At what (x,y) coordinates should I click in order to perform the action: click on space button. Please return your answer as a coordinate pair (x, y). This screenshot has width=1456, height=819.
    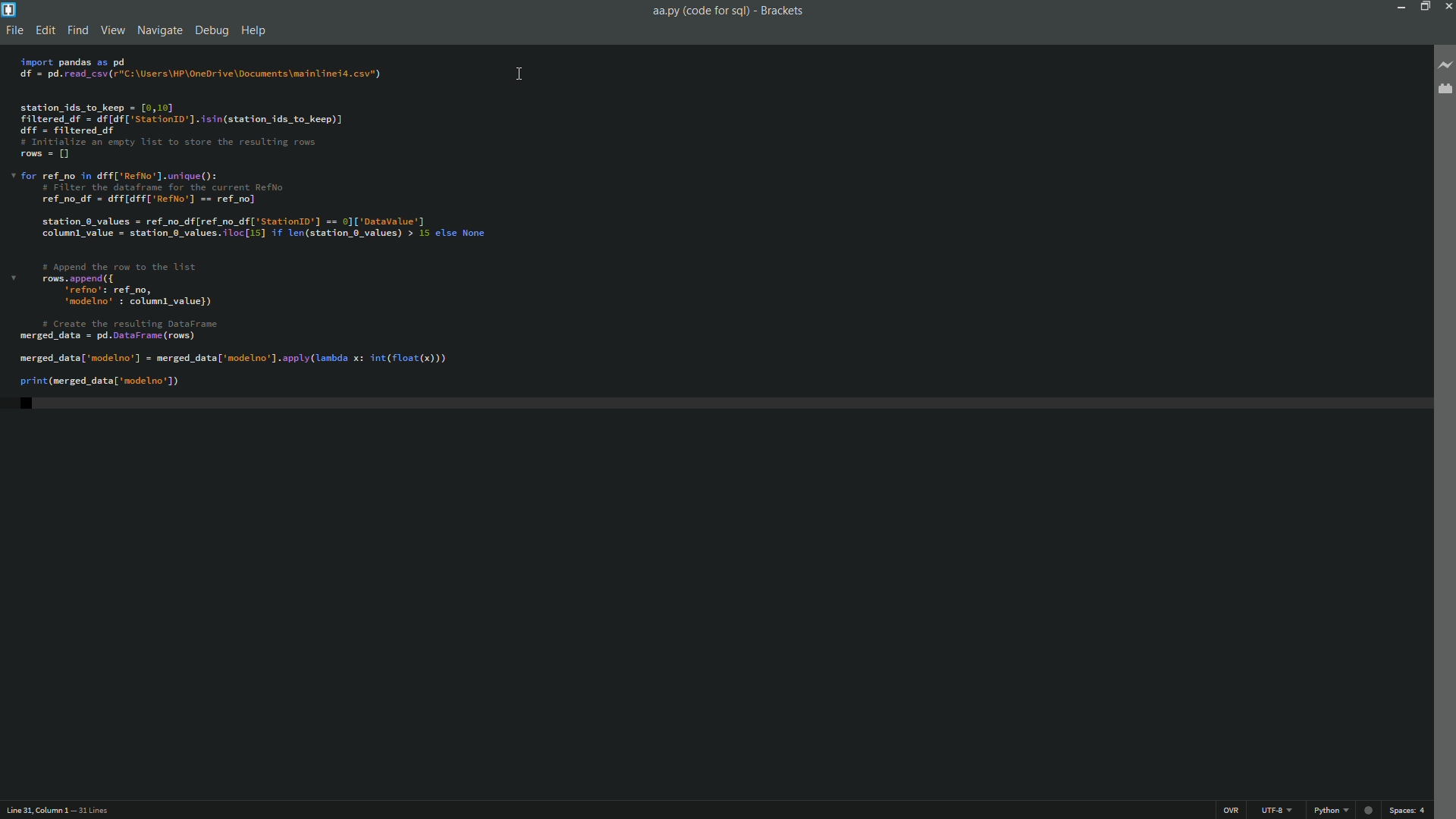
    Looking at the image, I should click on (1410, 812).